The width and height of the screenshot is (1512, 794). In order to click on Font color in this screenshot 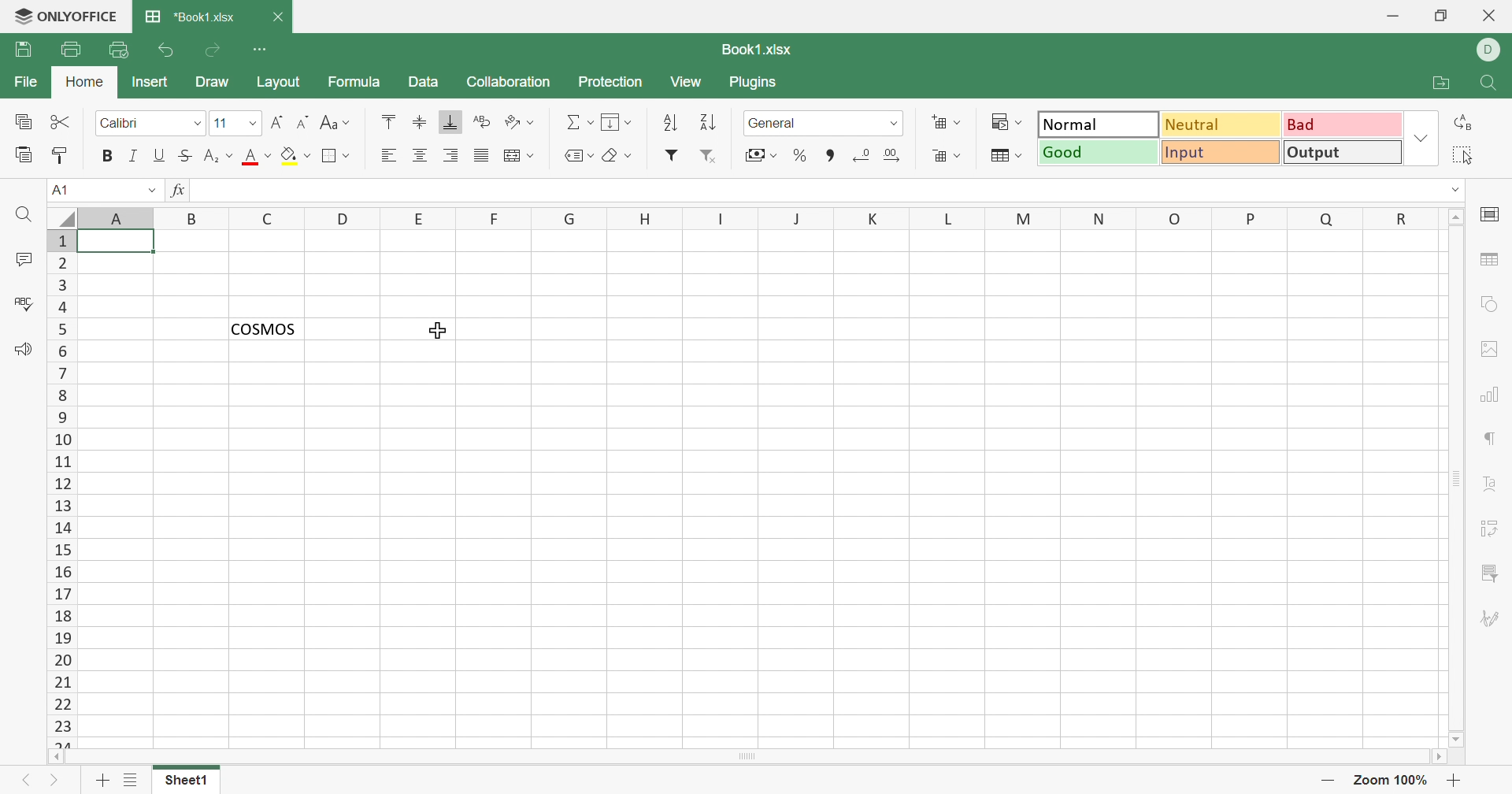, I will do `click(258, 156)`.